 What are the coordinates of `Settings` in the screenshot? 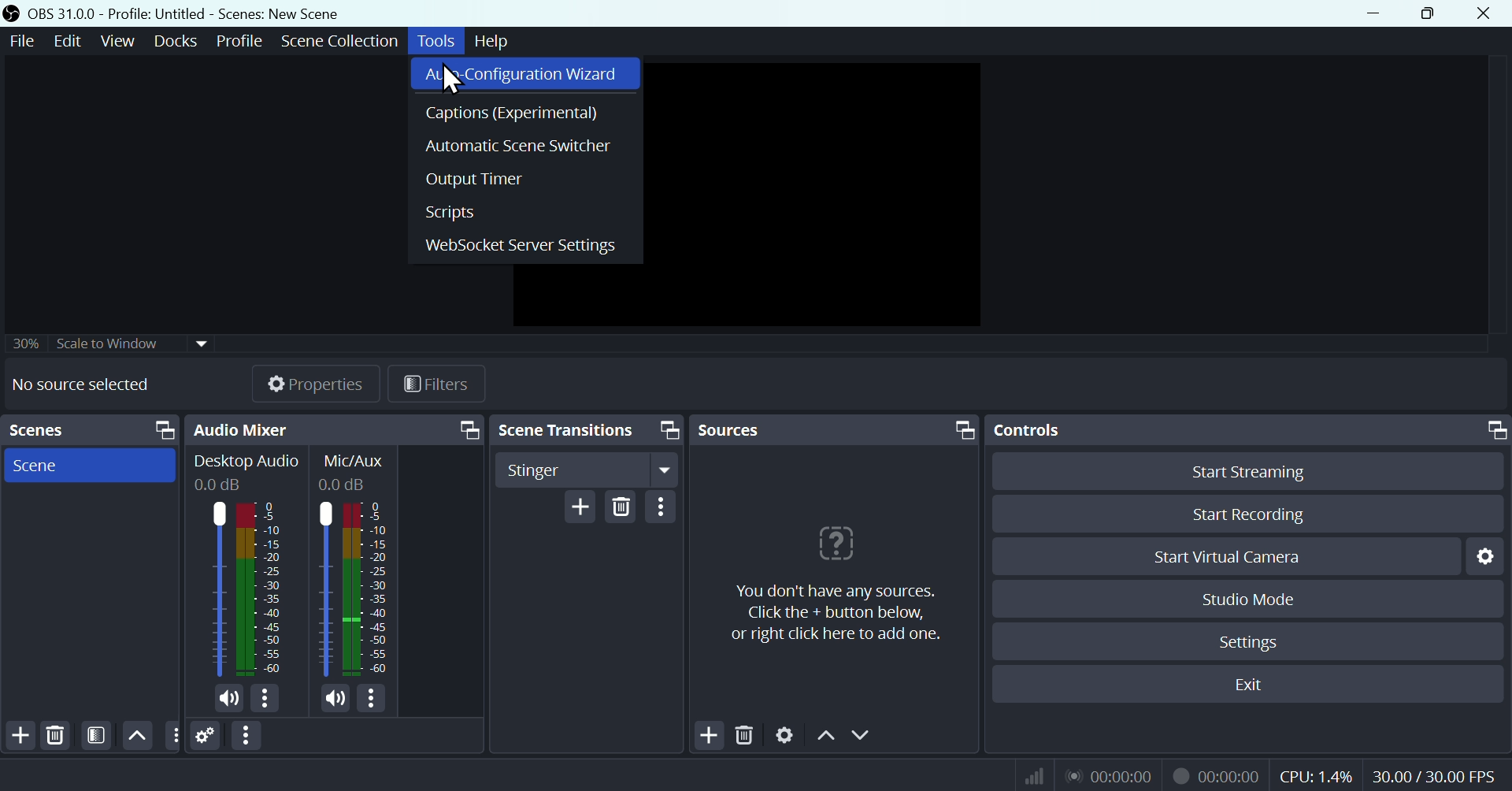 It's located at (785, 733).